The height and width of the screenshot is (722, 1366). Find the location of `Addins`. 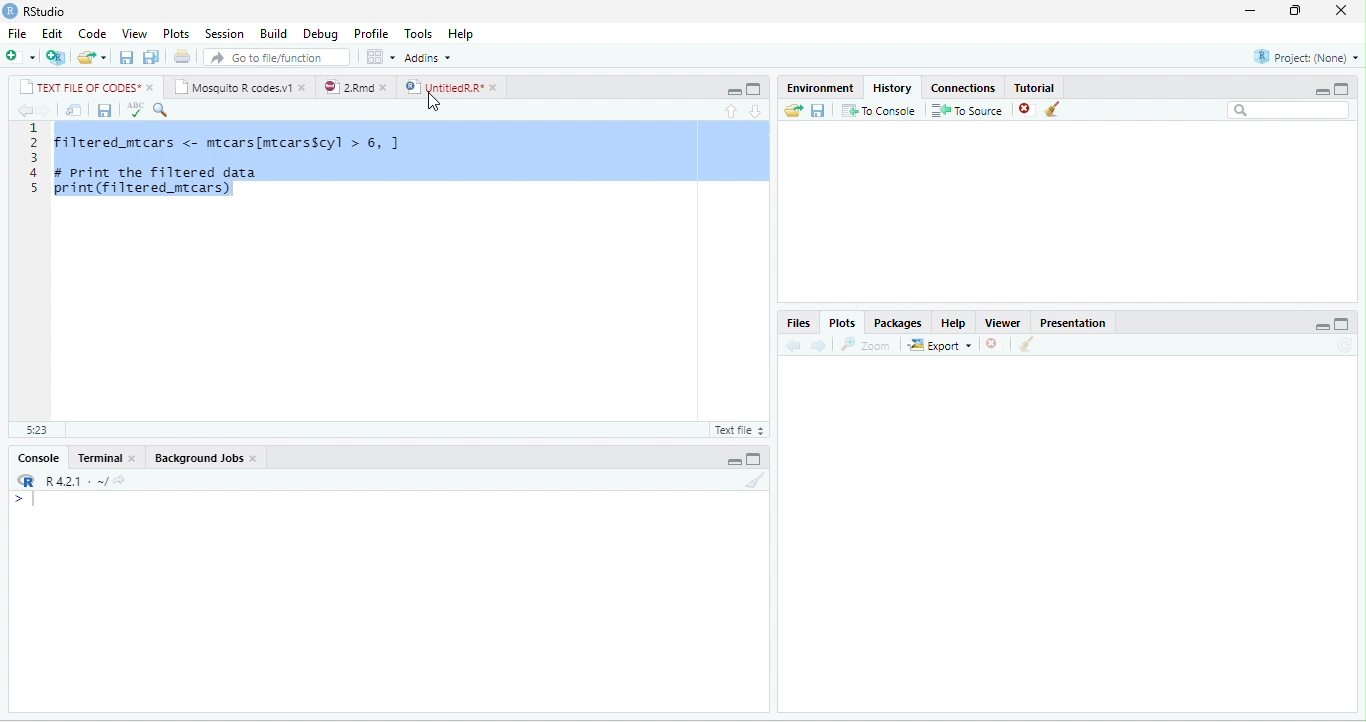

Addins is located at coordinates (427, 57).